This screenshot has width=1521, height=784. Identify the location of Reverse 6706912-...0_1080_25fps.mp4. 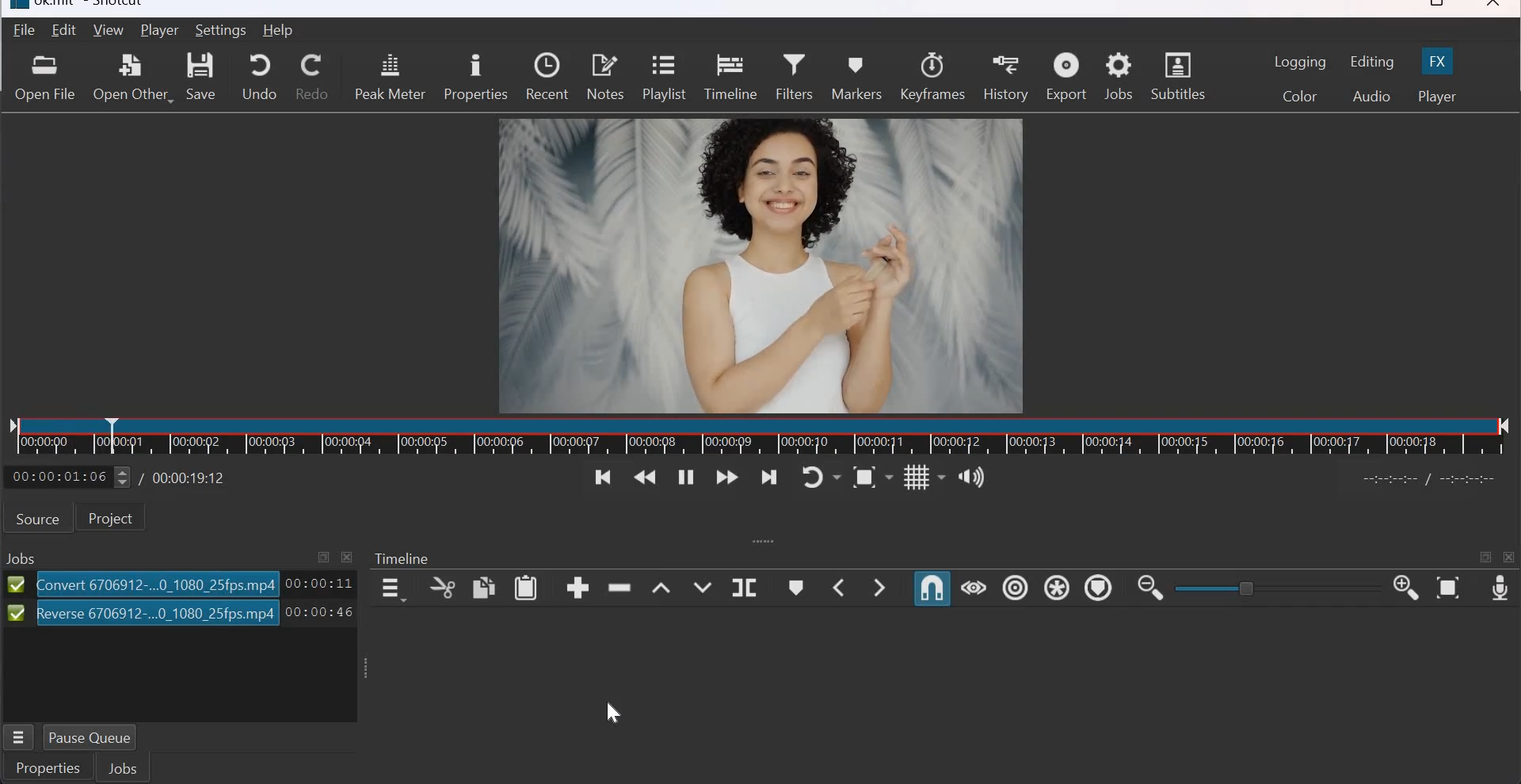
(155, 613).